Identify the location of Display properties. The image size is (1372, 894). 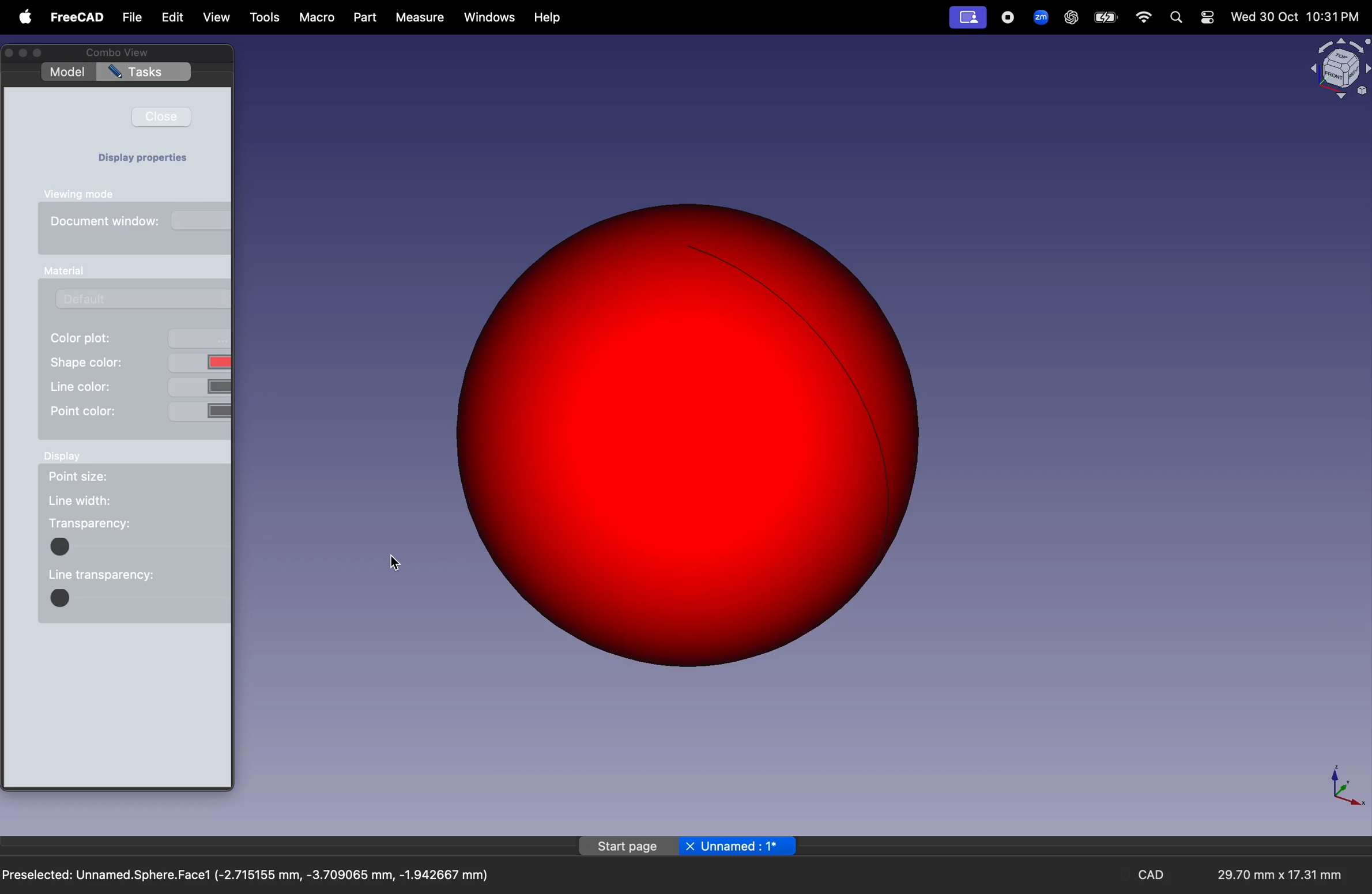
(149, 159).